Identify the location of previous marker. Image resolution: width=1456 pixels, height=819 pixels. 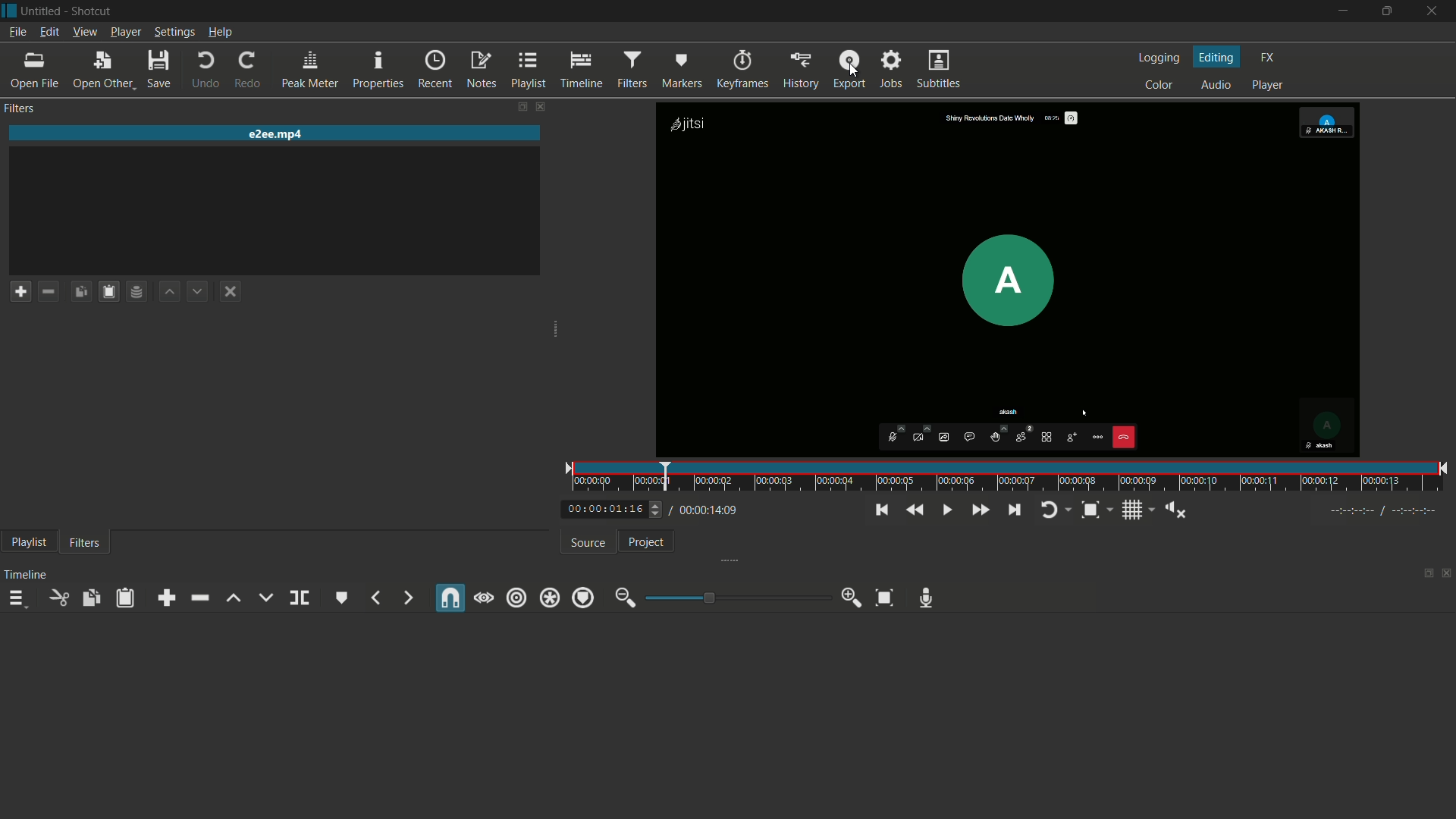
(375, 598).